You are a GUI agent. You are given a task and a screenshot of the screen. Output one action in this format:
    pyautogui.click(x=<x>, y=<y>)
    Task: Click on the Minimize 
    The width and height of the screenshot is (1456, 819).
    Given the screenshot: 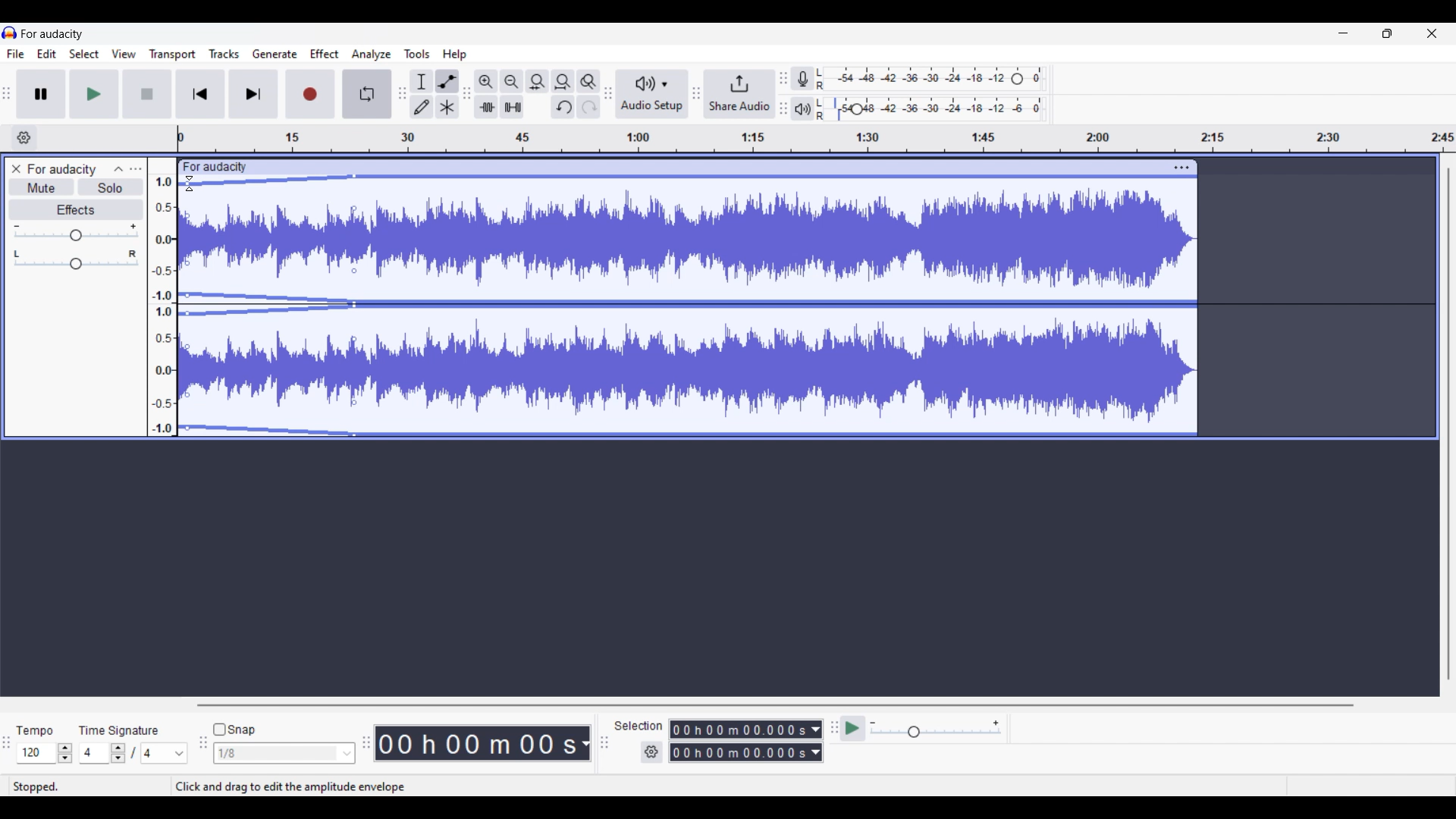 What is the action you would take?
    pyautogui.click(x=1343, y=33)
    